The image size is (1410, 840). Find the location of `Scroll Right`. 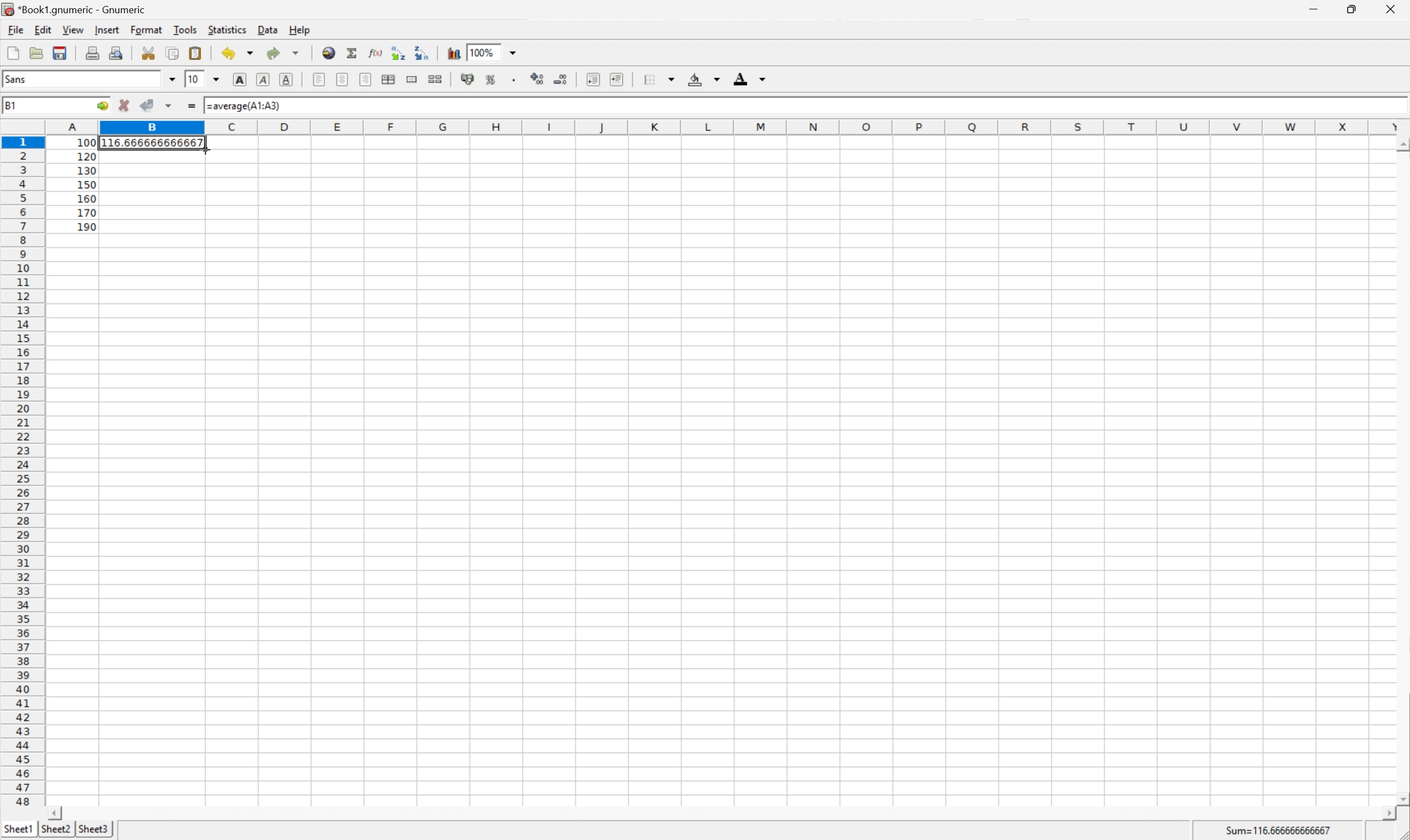

Scroll Right is located at coordinates (1383, 812).